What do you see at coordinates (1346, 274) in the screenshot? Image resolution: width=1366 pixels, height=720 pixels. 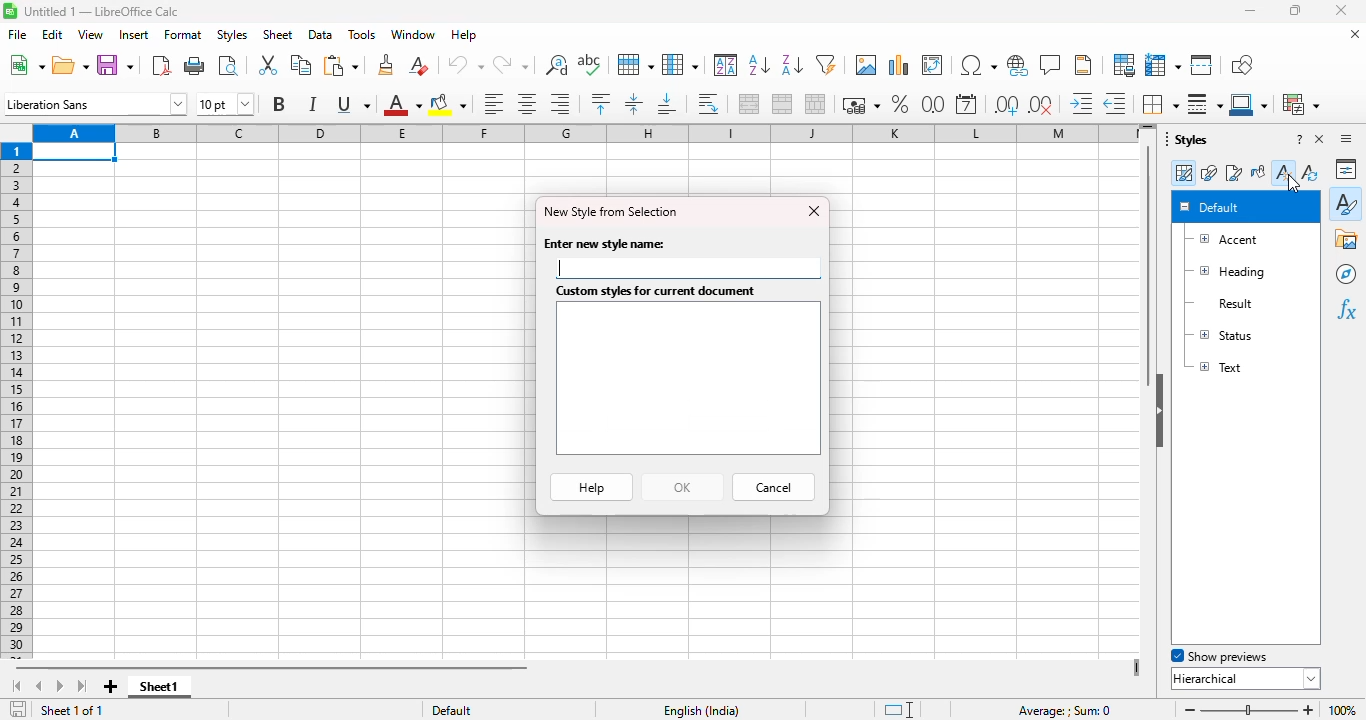 I see `navigator` at bounding box center [1346, 274].